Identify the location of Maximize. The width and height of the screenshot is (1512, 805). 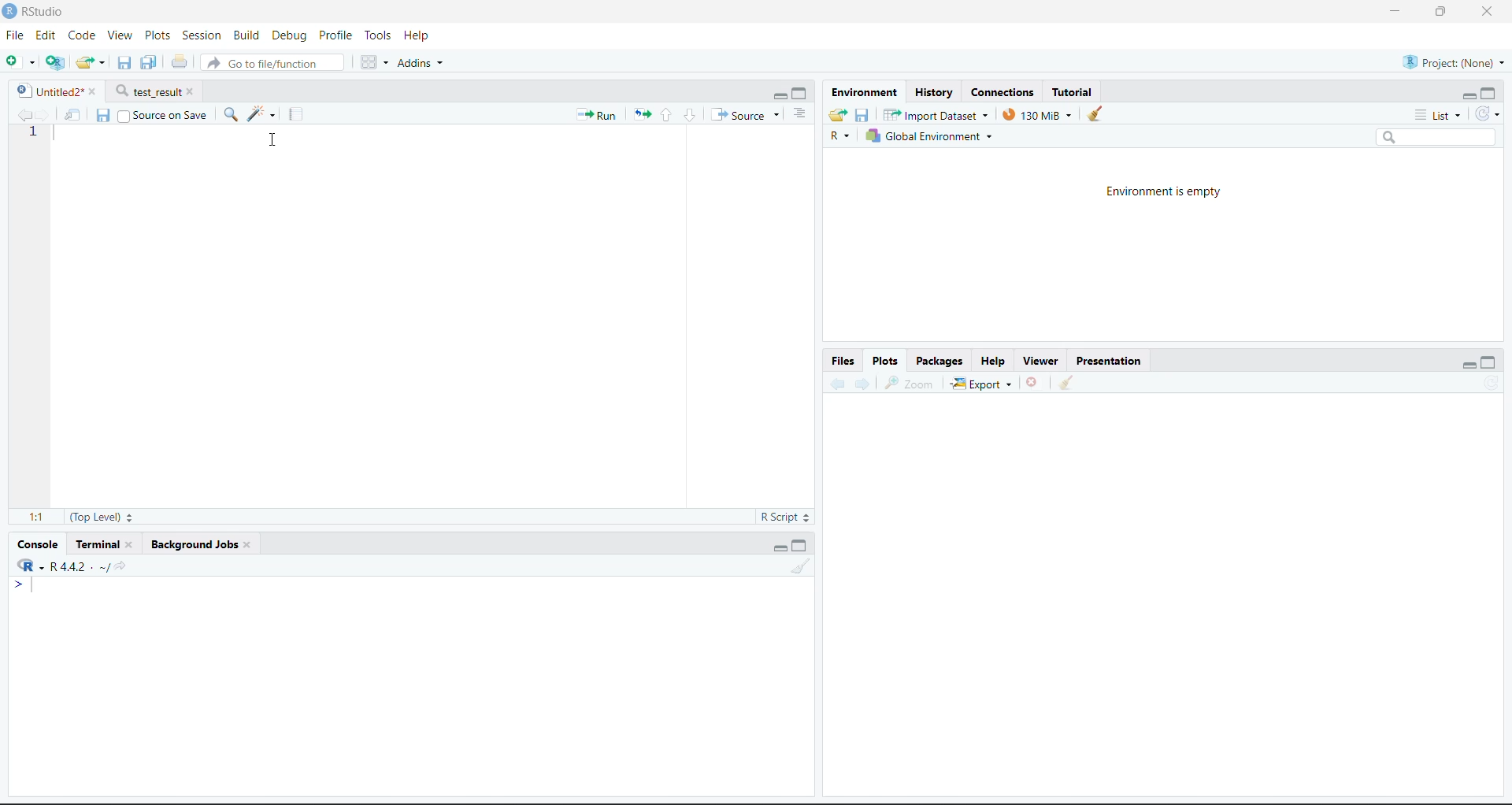
(799, 93).